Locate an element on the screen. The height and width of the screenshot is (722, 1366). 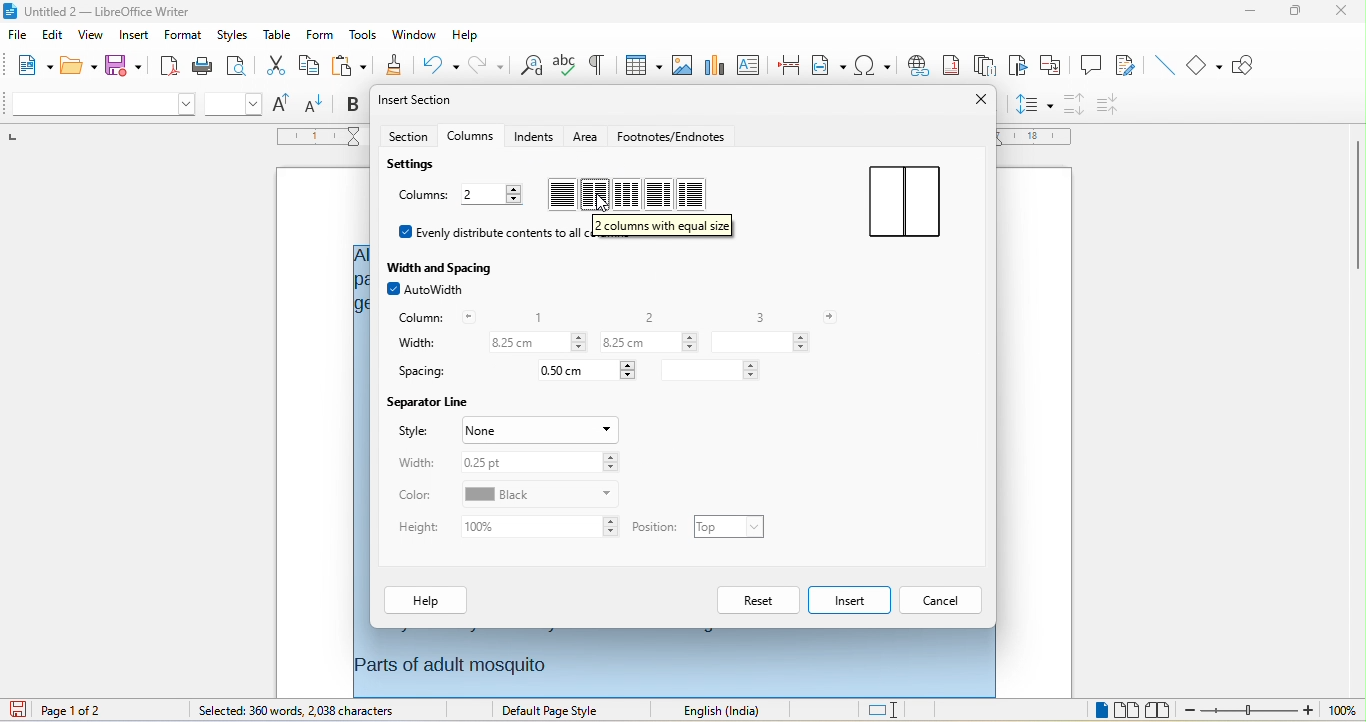
bookmark is located at coordinates (1017, 68).